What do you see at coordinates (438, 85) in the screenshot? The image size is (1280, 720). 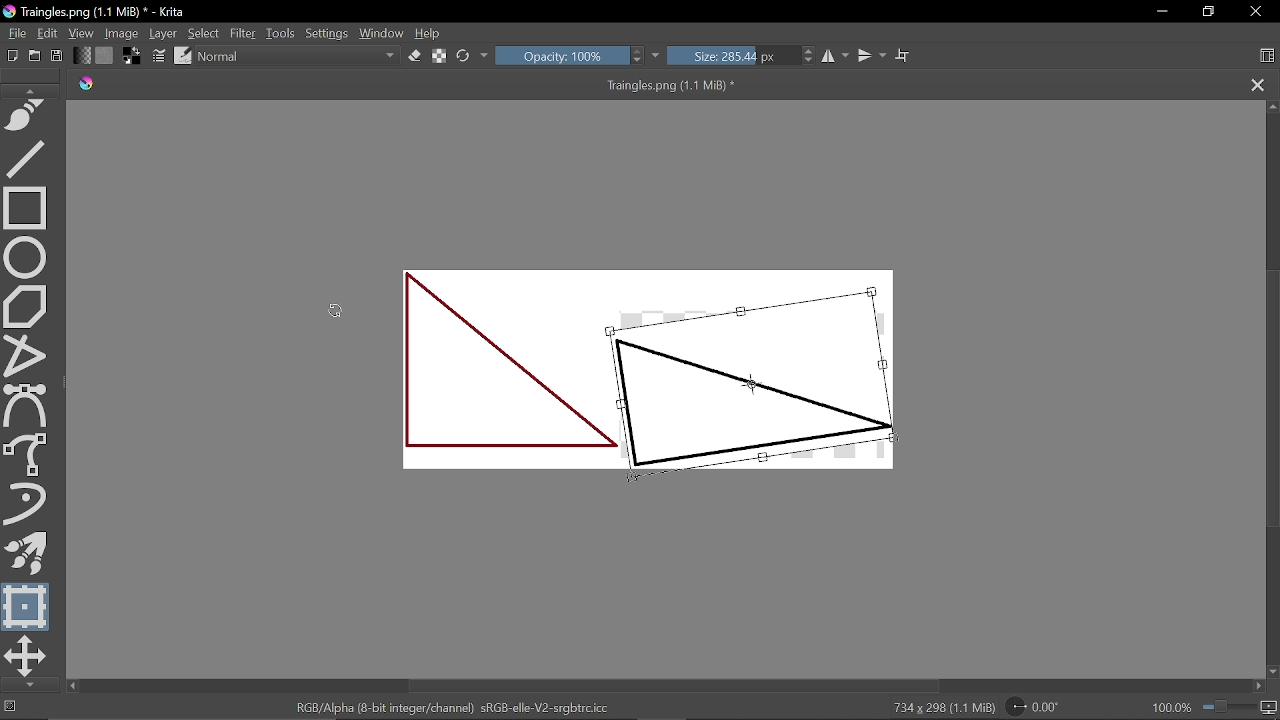 I see `Traingles.png (1.1 MiB) *` at bounding box center [438, 85].